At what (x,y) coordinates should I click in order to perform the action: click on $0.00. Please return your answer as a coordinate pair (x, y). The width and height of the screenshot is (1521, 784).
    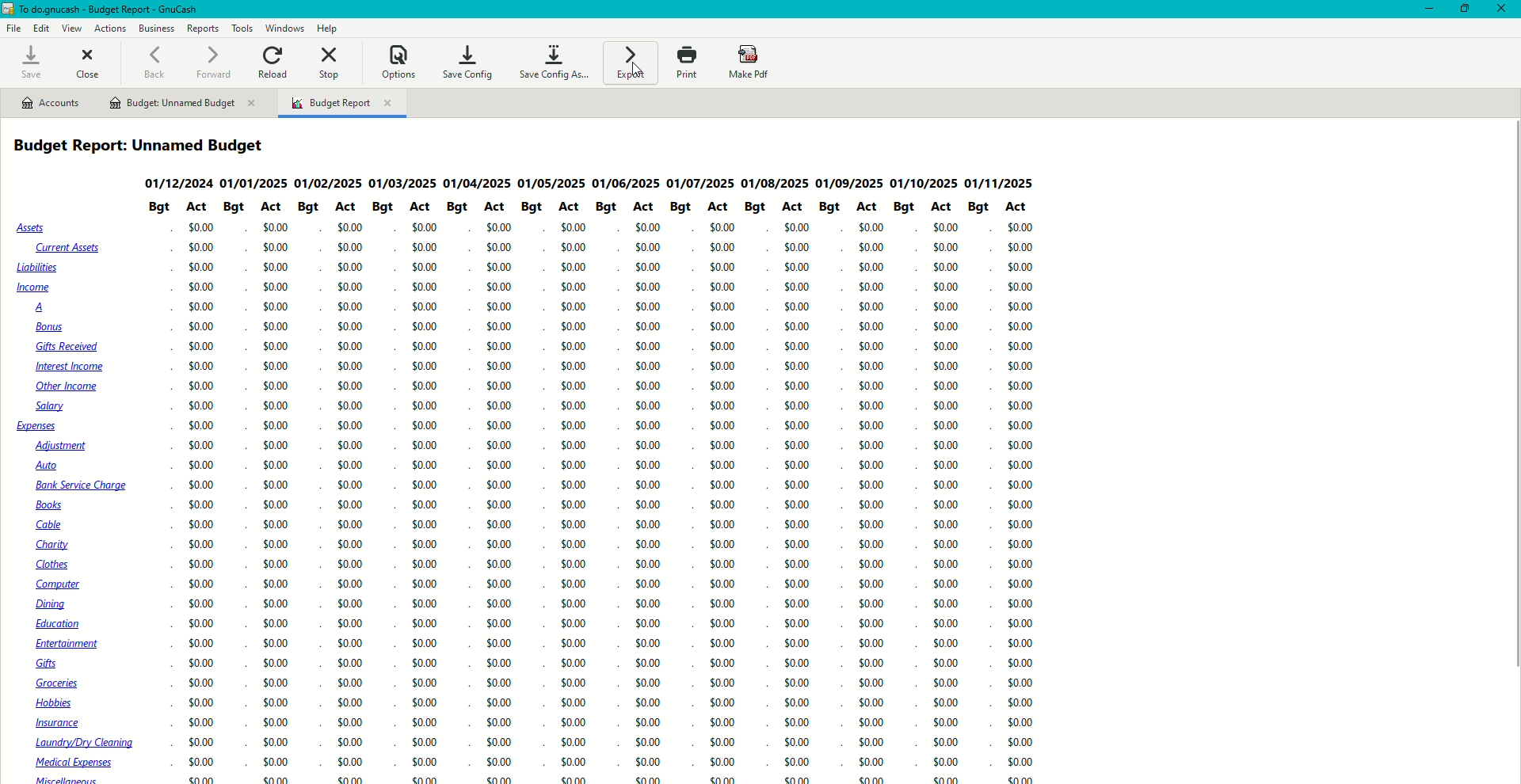
    Looking at the image, I should click on (425, 604).